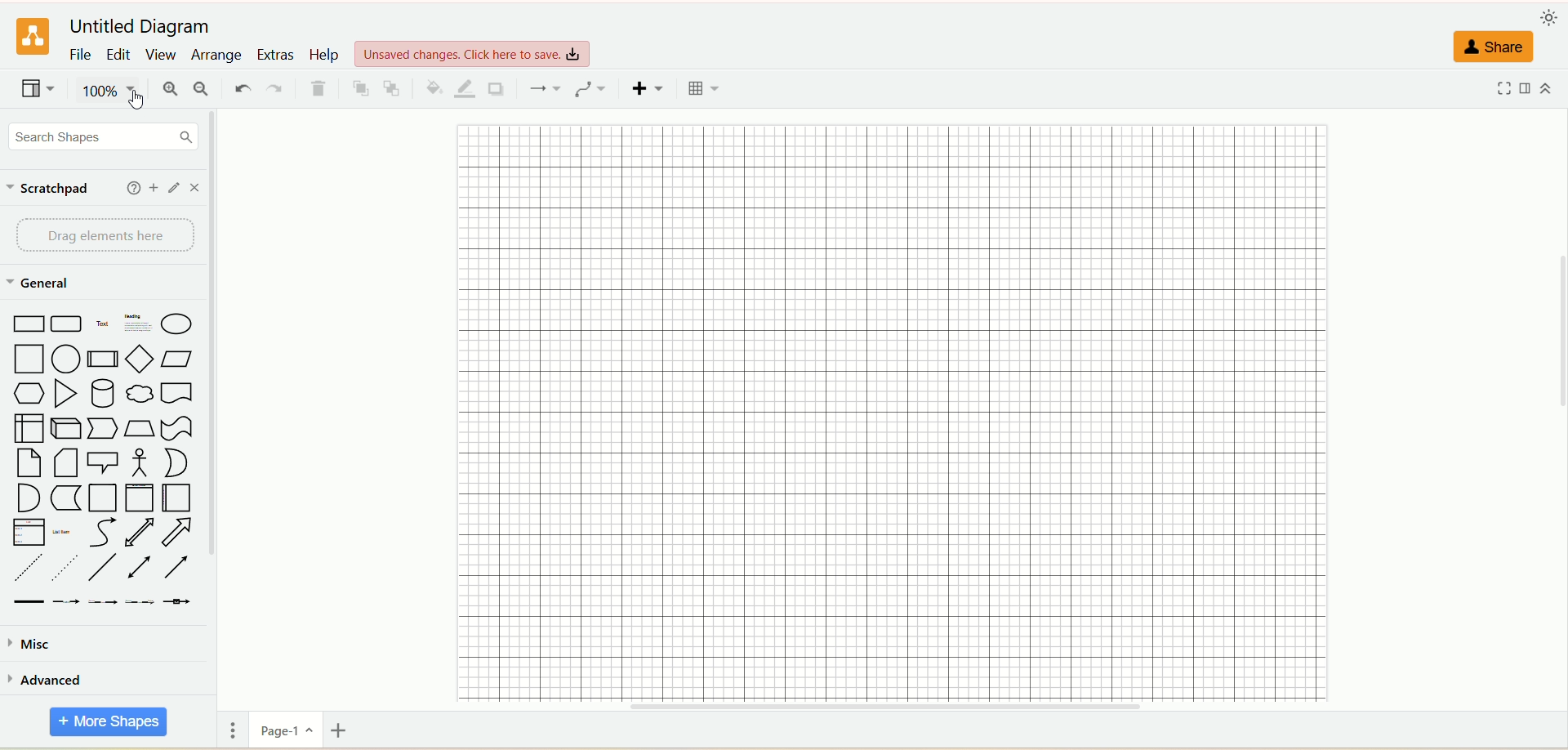 This screenshot has height=750, width=1568. What do you see at coordinates (28, 325) in the screenshot?
I see `rectangle` at bounding box center [28, 325].